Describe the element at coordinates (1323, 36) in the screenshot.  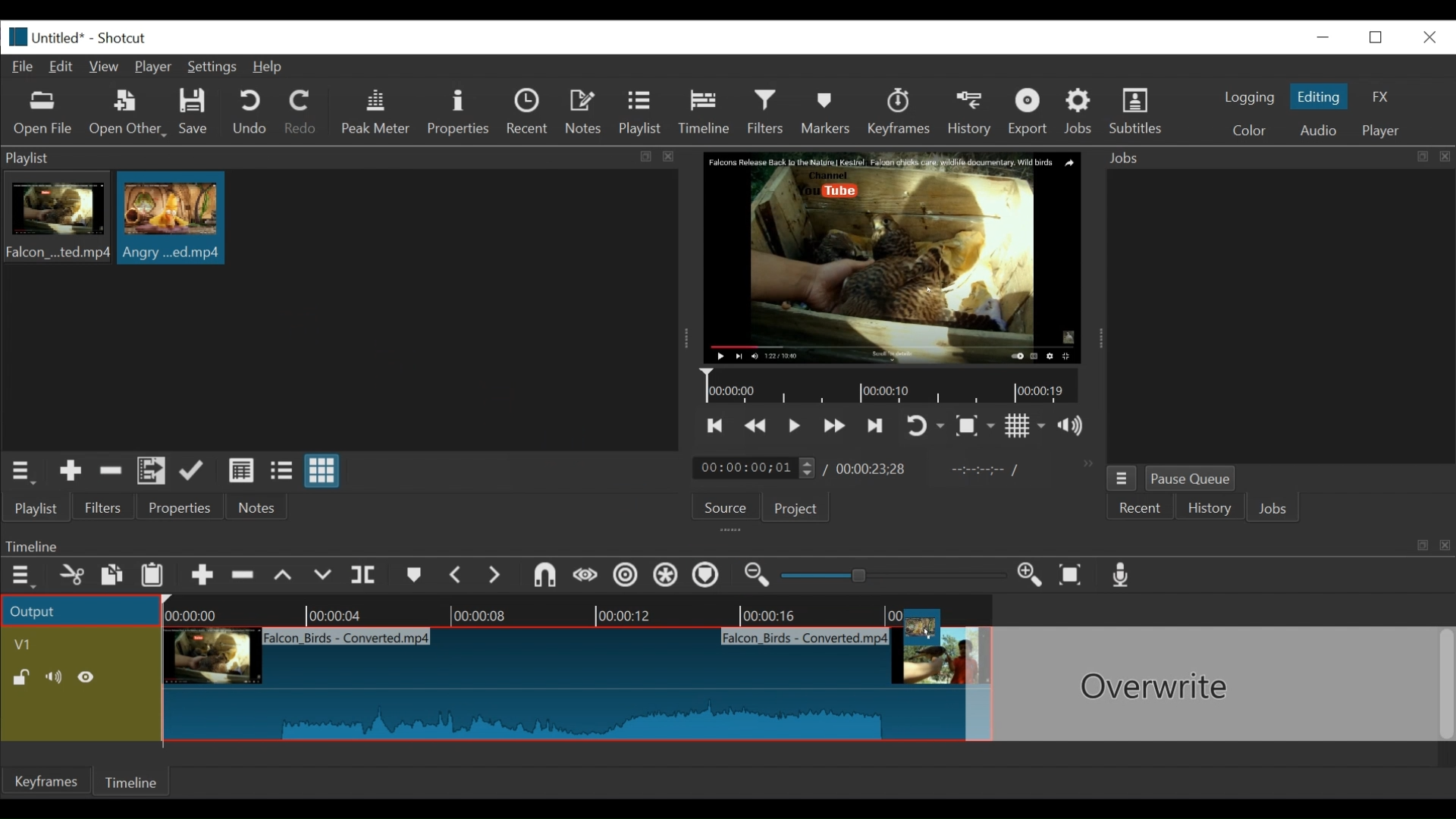
I see `minimize` at that location.